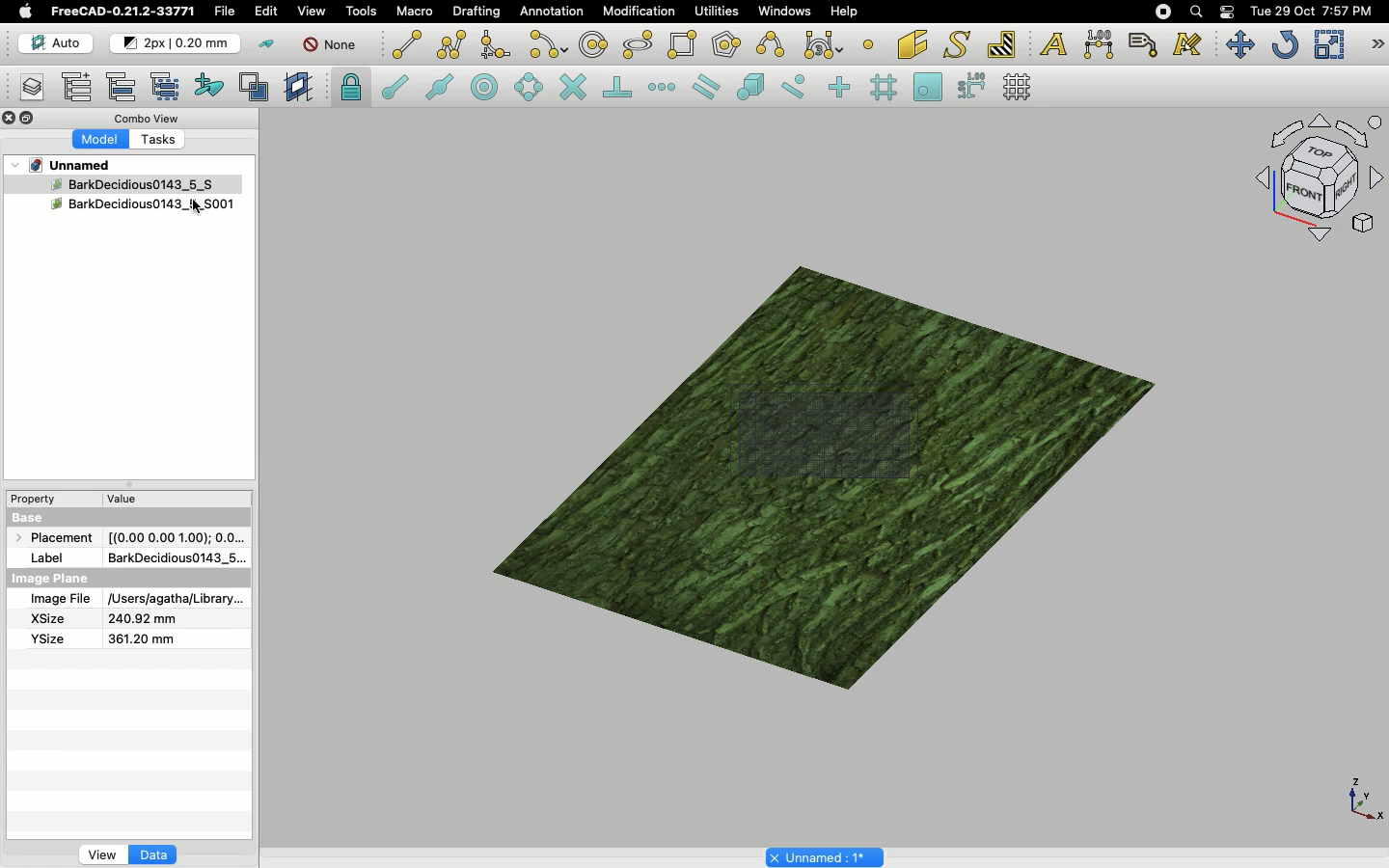 This screenshot has height=868, width=1389. What do you see at coordinates (144, 207) in the screenshot?
I see `duplicate object` at bounding box center [144, 207].